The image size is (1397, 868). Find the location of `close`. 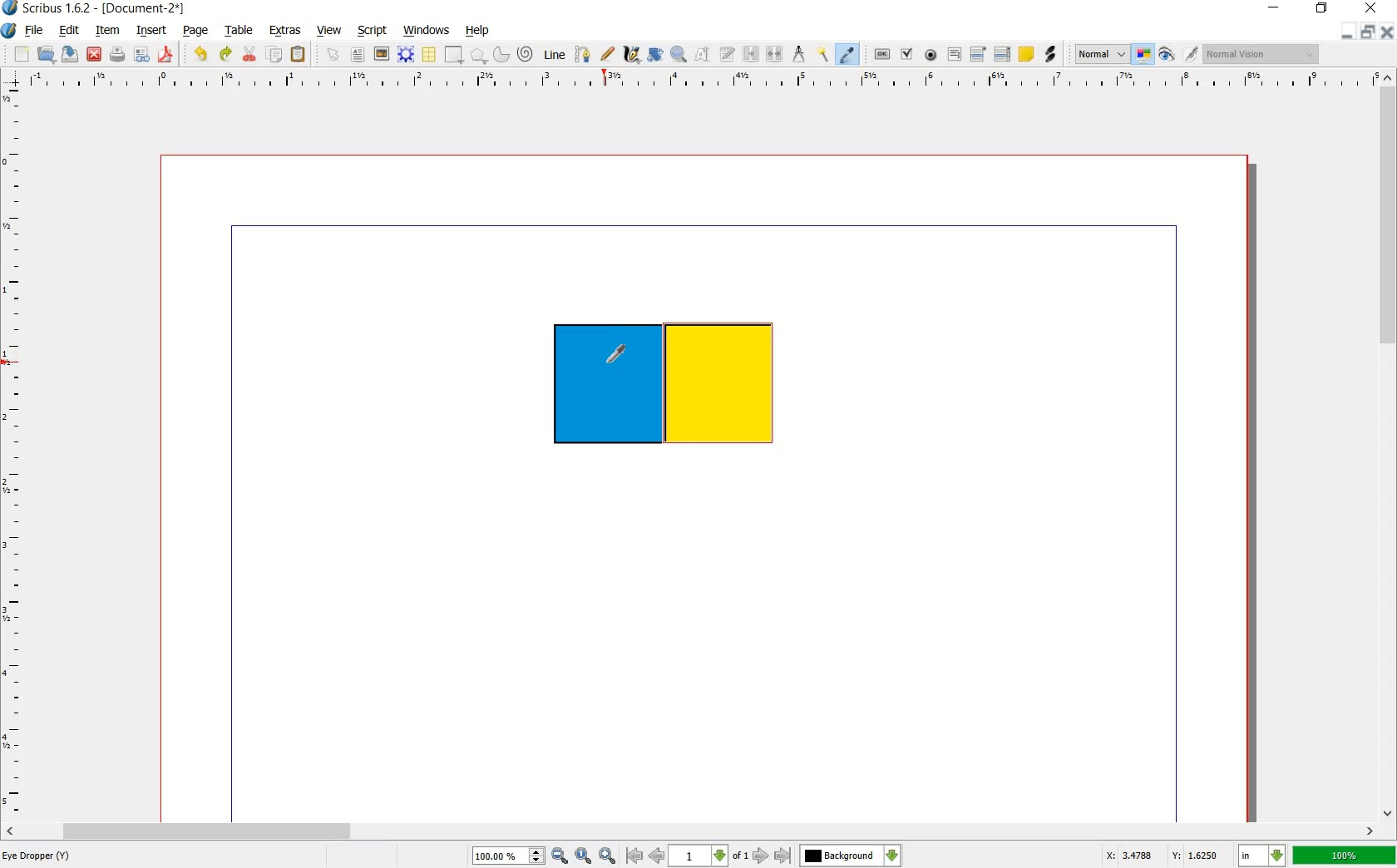

close is located at coordinates (1389, 32).